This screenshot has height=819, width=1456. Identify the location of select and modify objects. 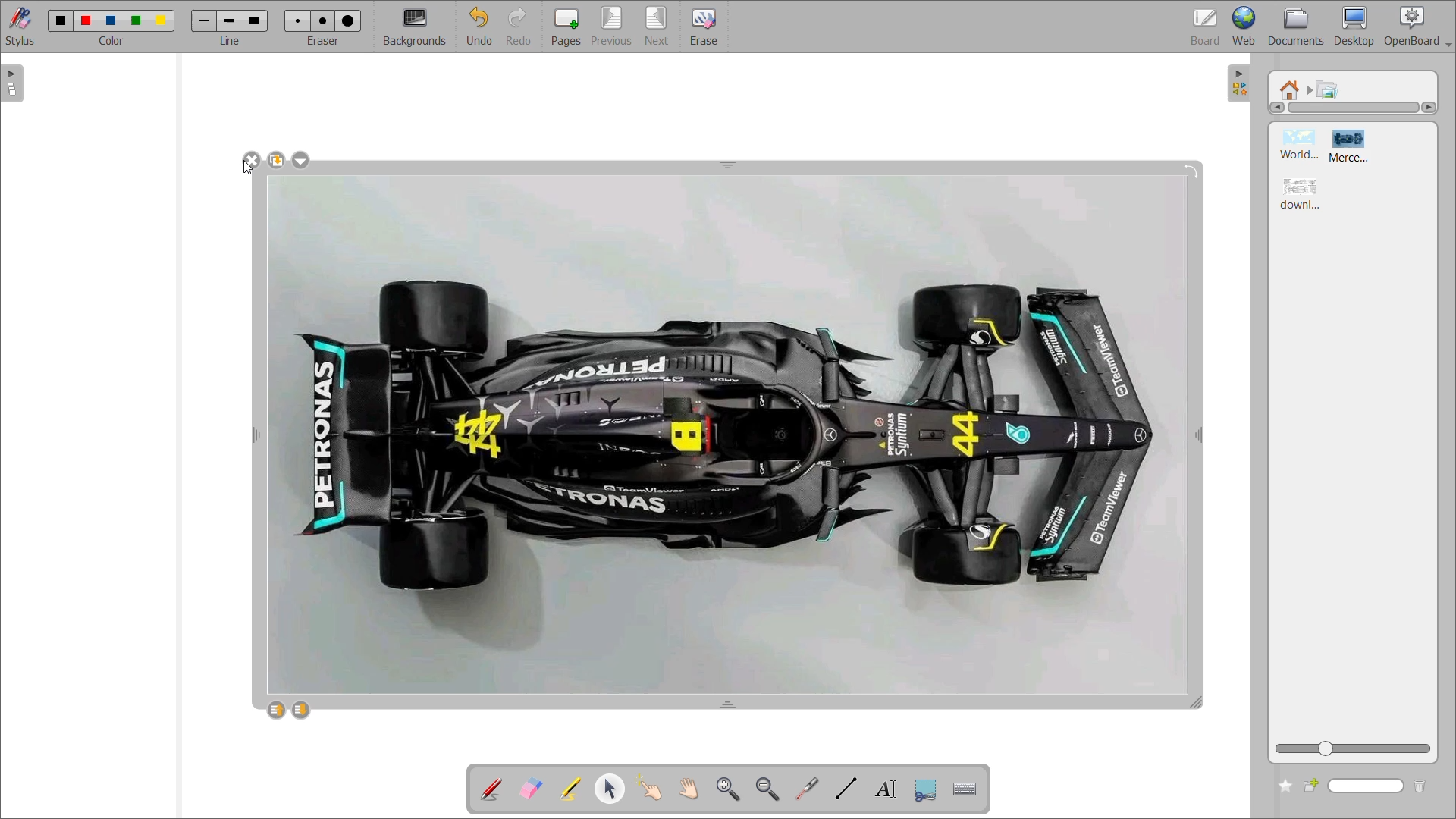
(609, 789).